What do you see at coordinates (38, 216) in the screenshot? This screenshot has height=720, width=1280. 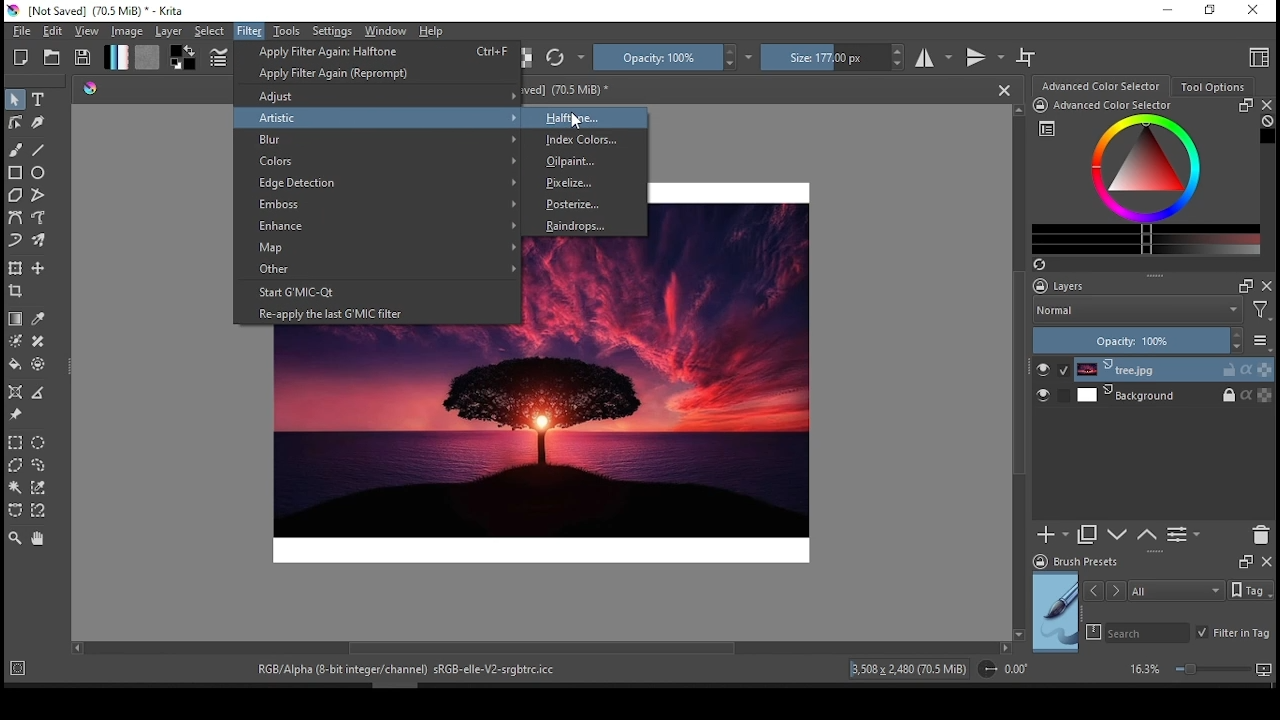 I see `freehand path tool` at bounding box center [38, 216].